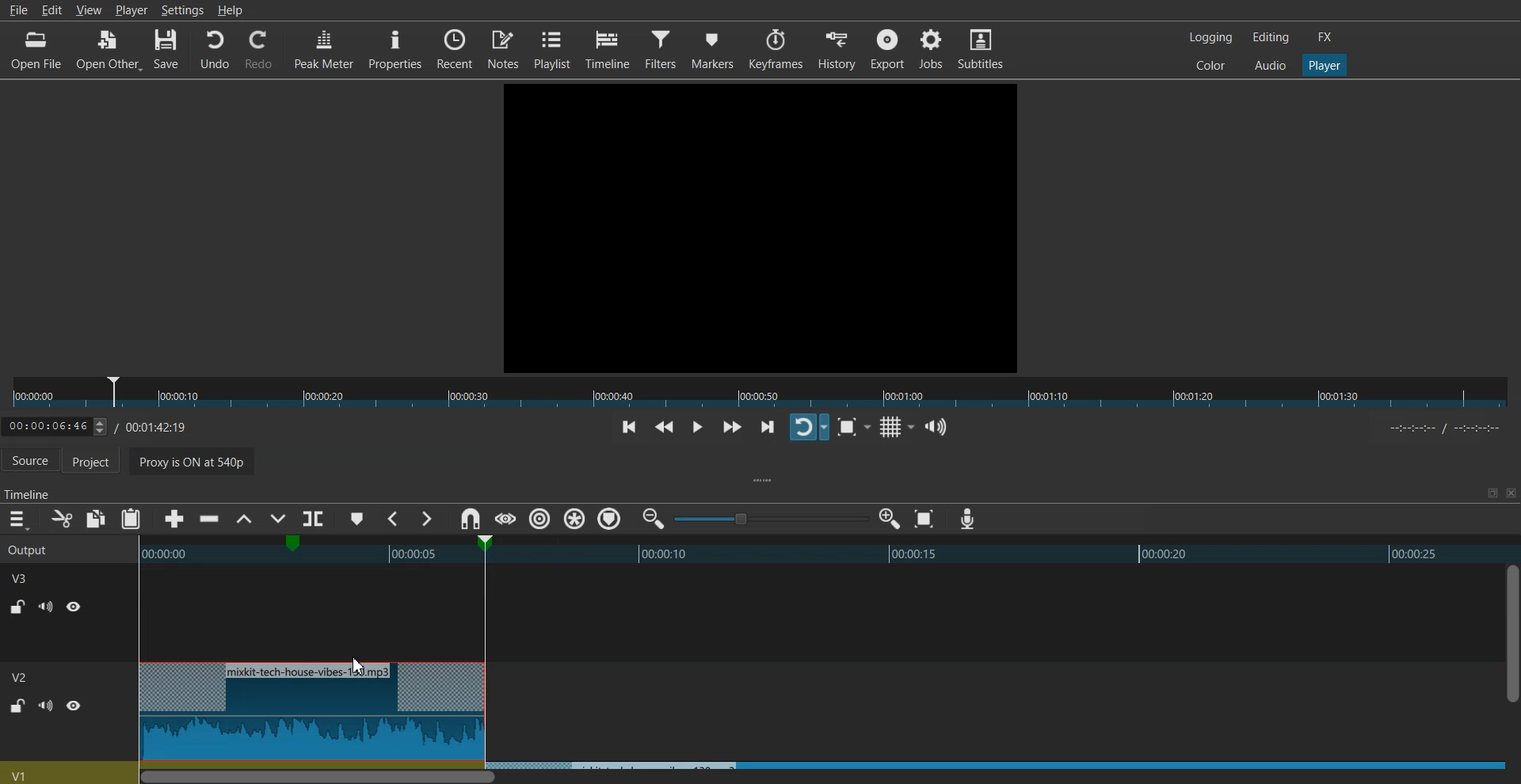 The height and width of the screenshot is (784, 1521). I want to click on View, so click(89, 12).